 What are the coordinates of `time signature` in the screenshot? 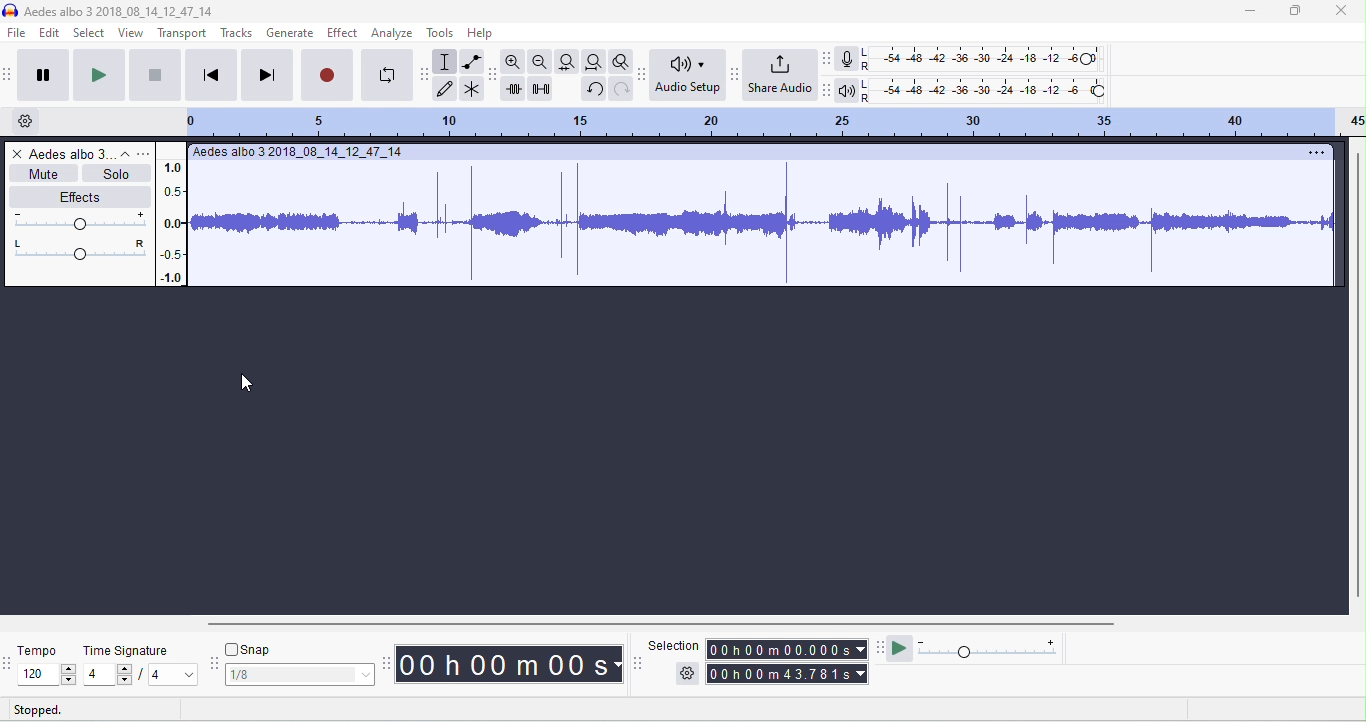 It's located at (127, 650).